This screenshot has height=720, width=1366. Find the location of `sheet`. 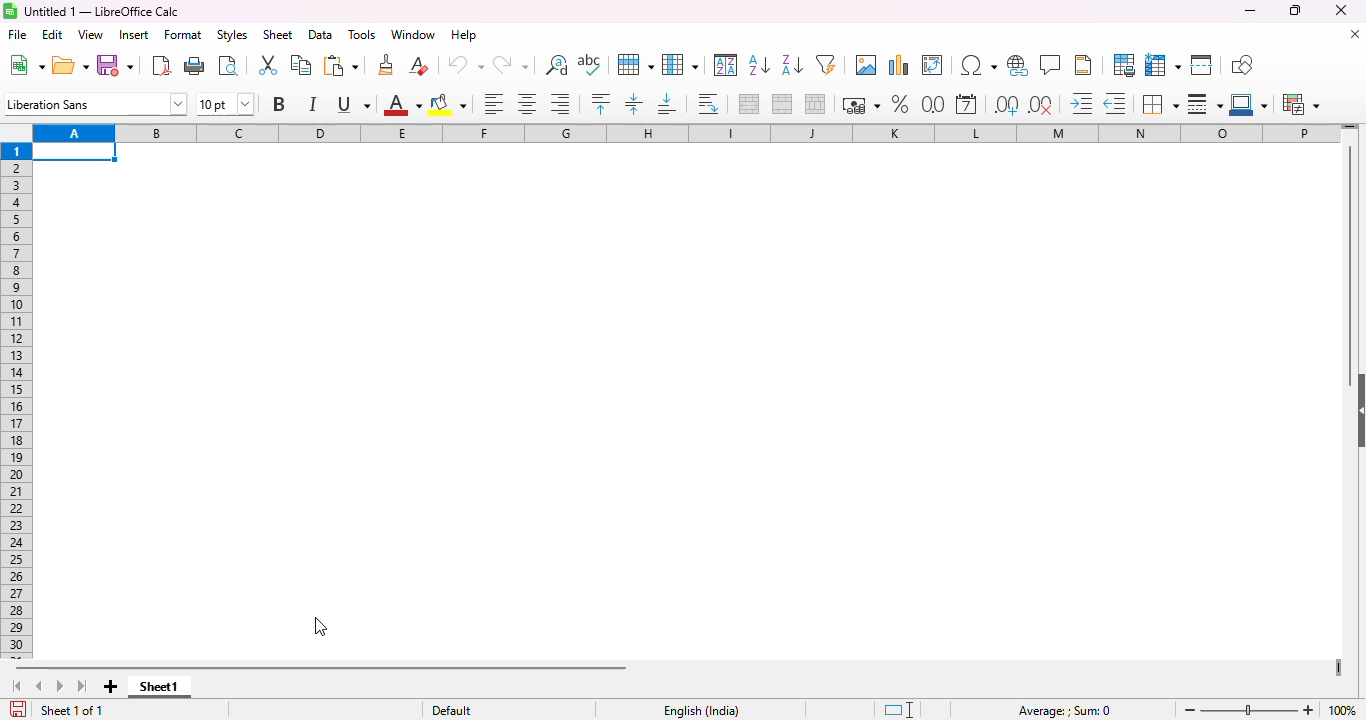

sheet is located at coordinates (278, 34).